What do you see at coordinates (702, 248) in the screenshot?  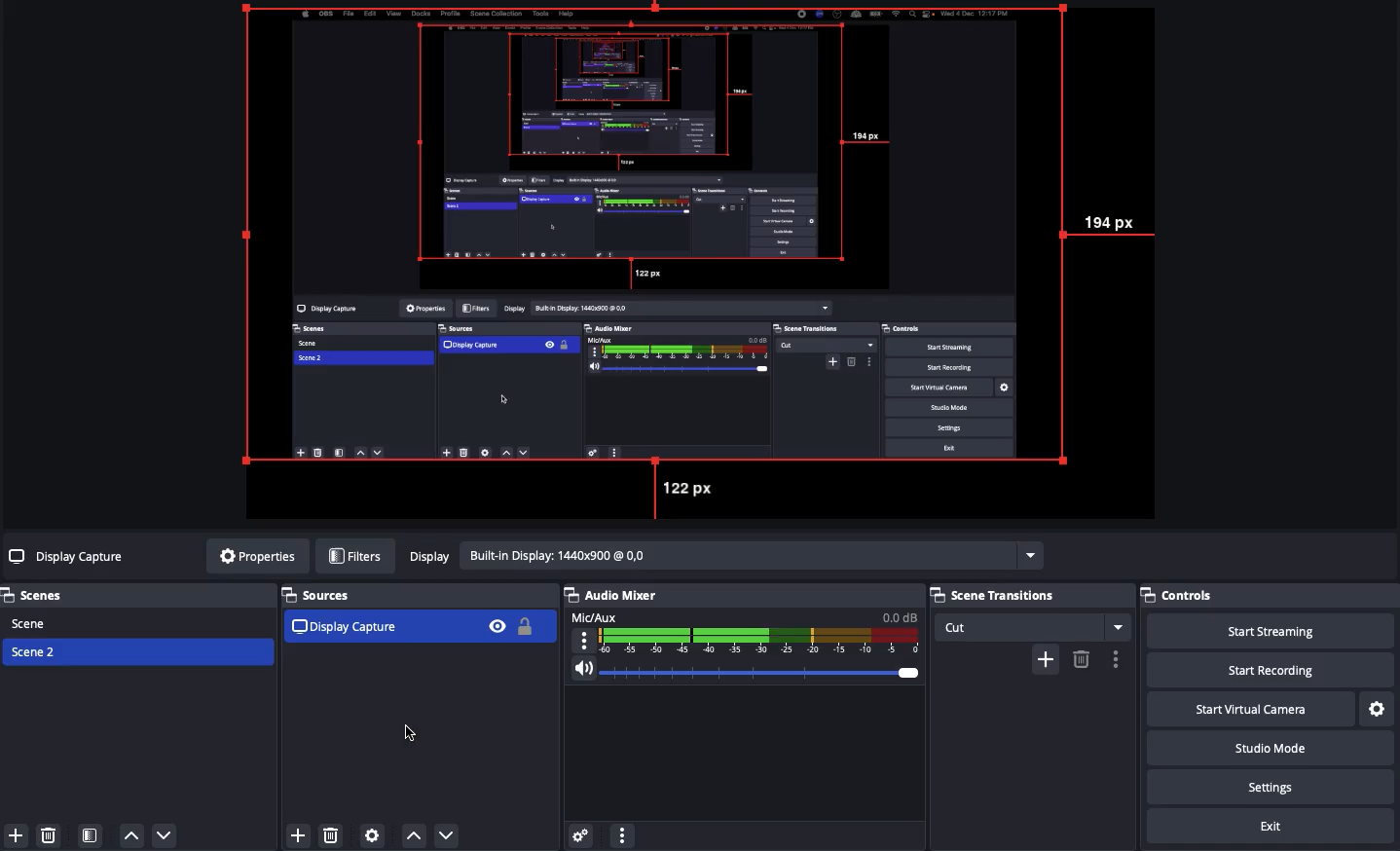 I see `Pasted` at bounding box center [702, 248].